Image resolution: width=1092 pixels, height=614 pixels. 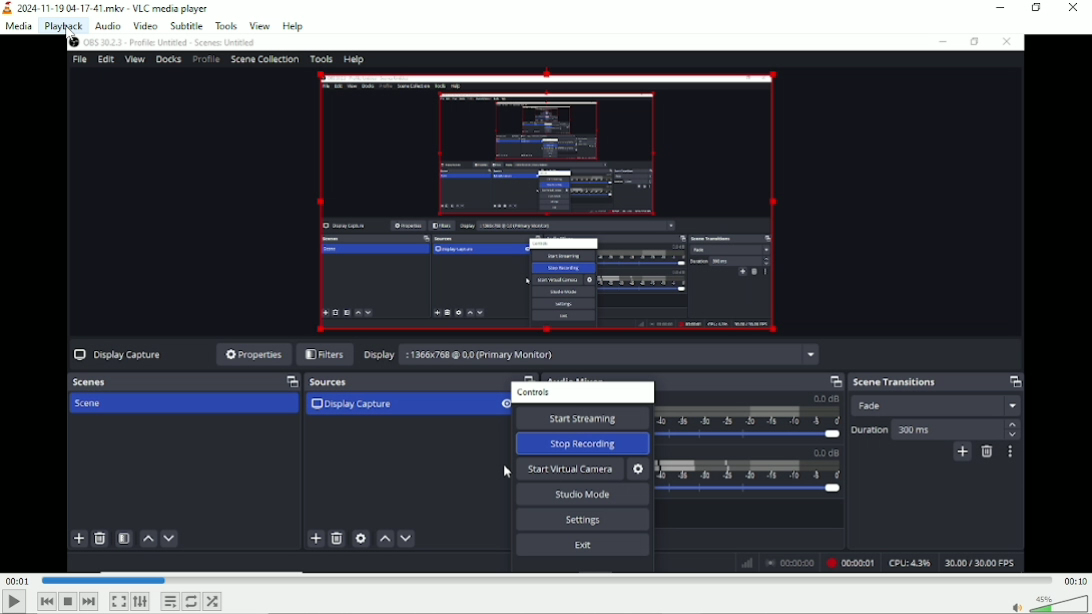 What do you see at coordinates (544, 581) in the screenshot?
I see `Play duration` at bounding box center [544, 581].